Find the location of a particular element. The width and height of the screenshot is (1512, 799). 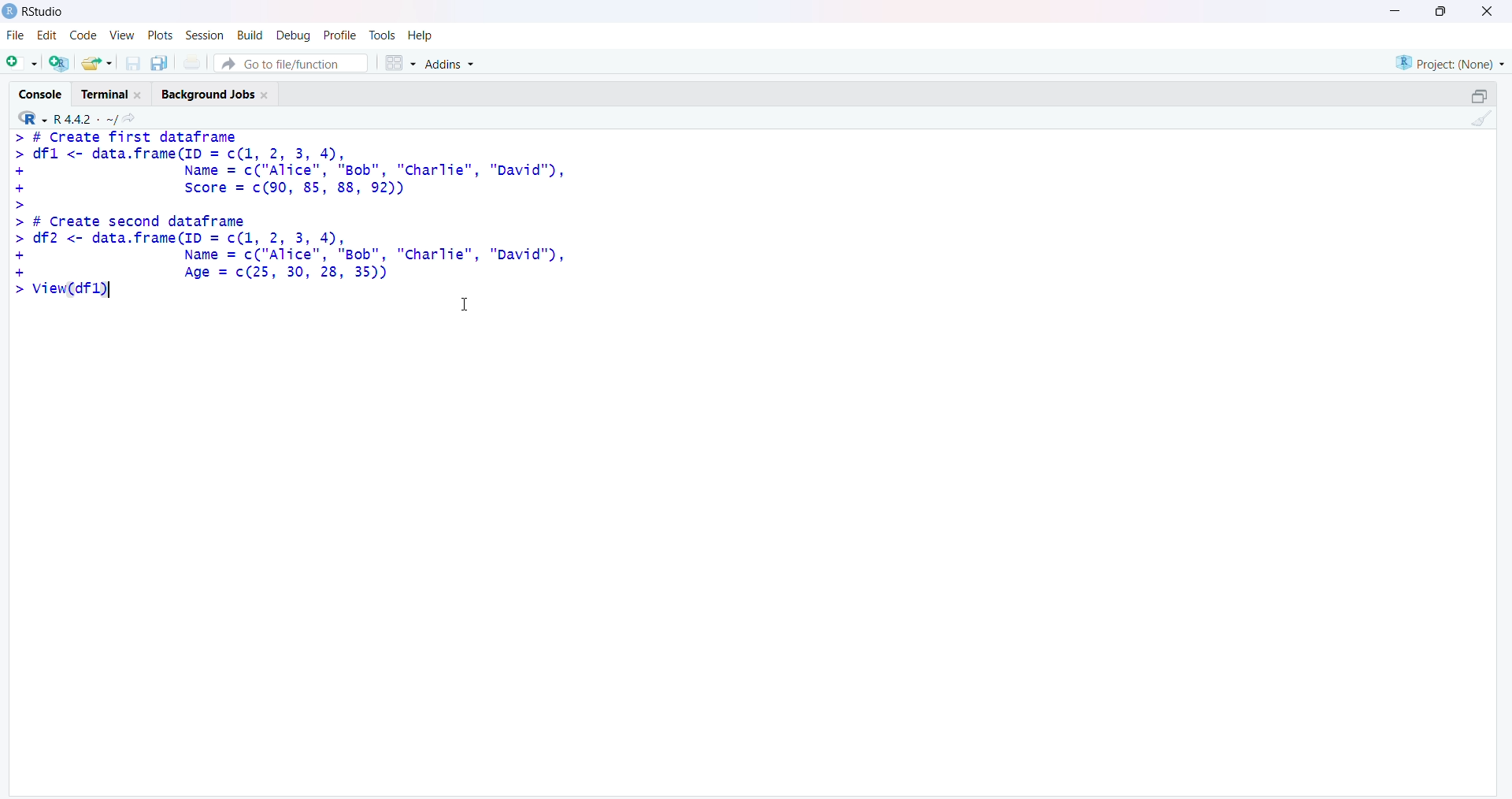

Help is located at coordinates (420, 35).